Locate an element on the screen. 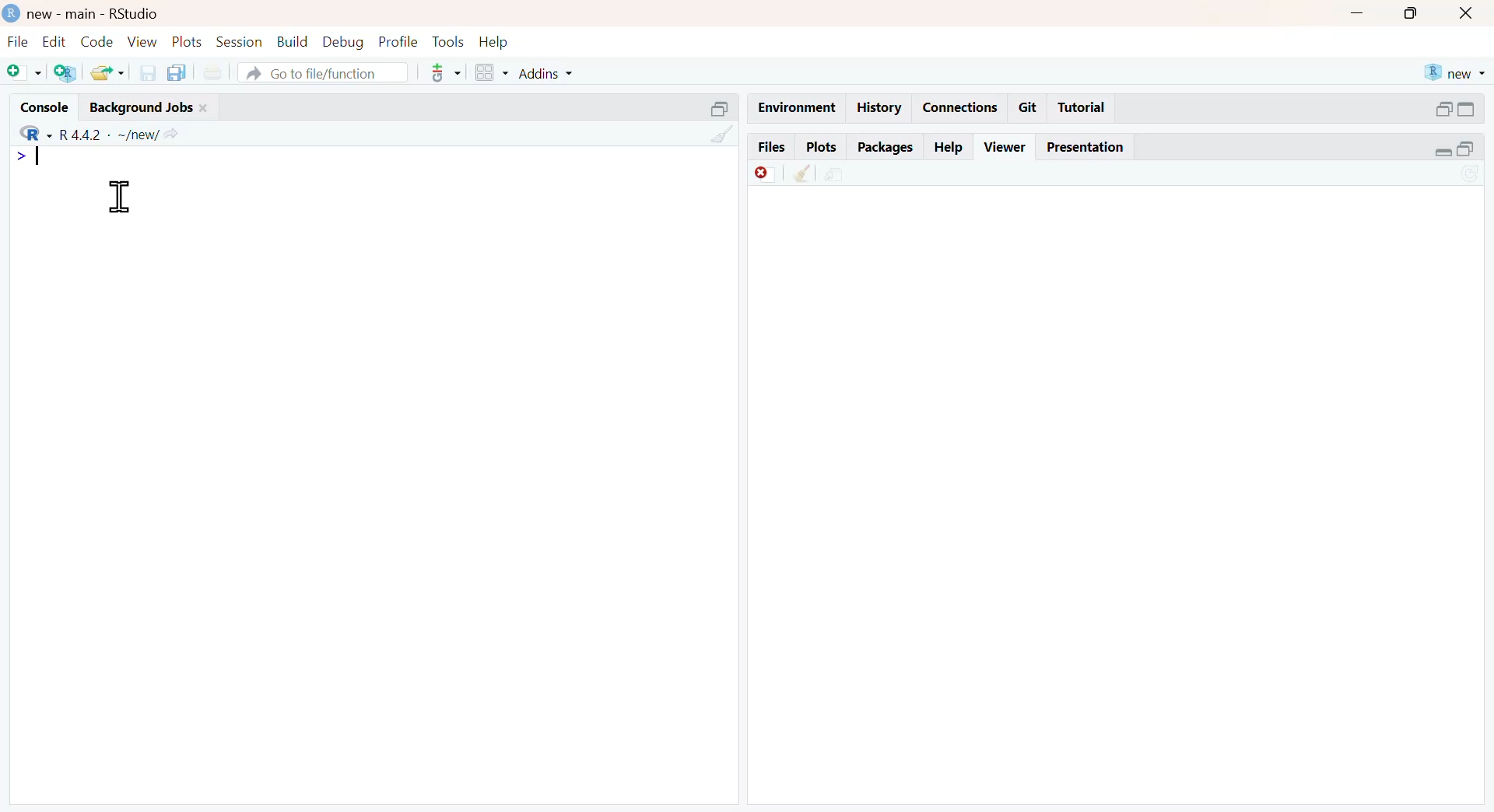 The image size is (1494, 812). tools is located at coordinates (447, 72).